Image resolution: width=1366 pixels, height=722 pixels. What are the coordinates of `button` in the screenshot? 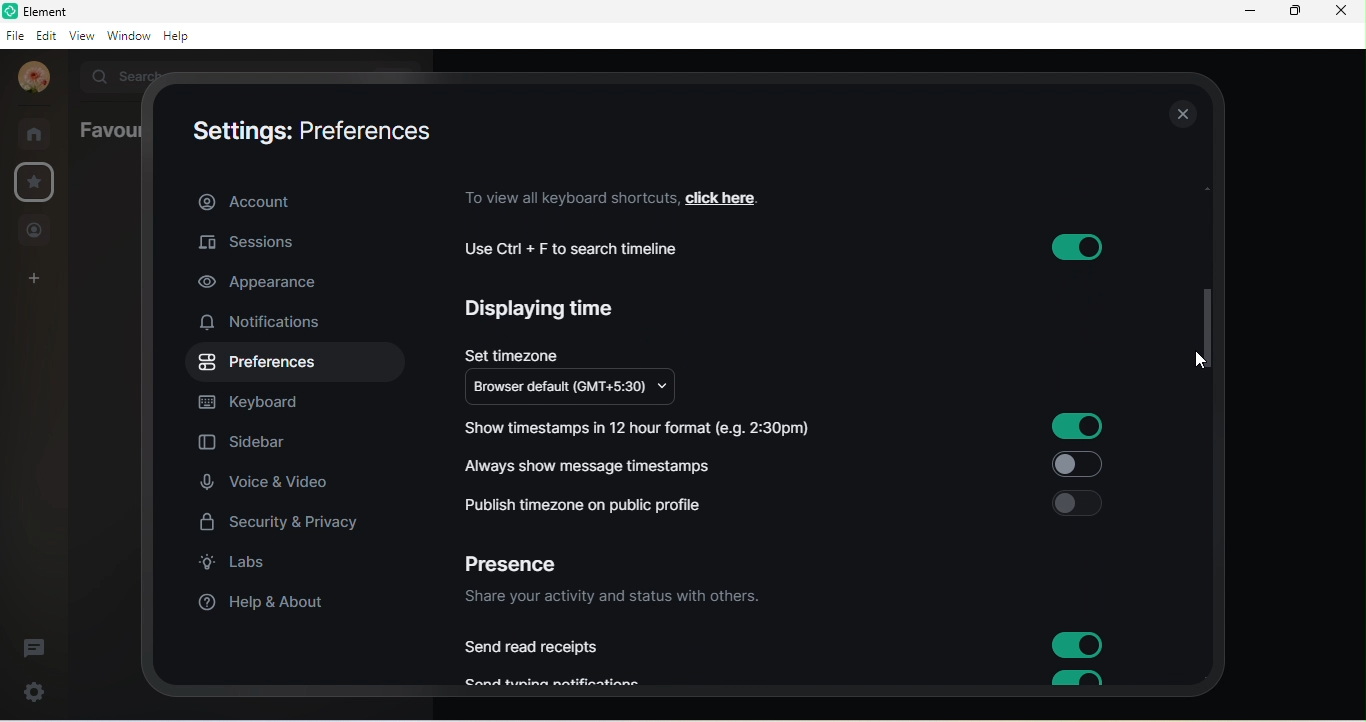 It's located at (1078, 646).